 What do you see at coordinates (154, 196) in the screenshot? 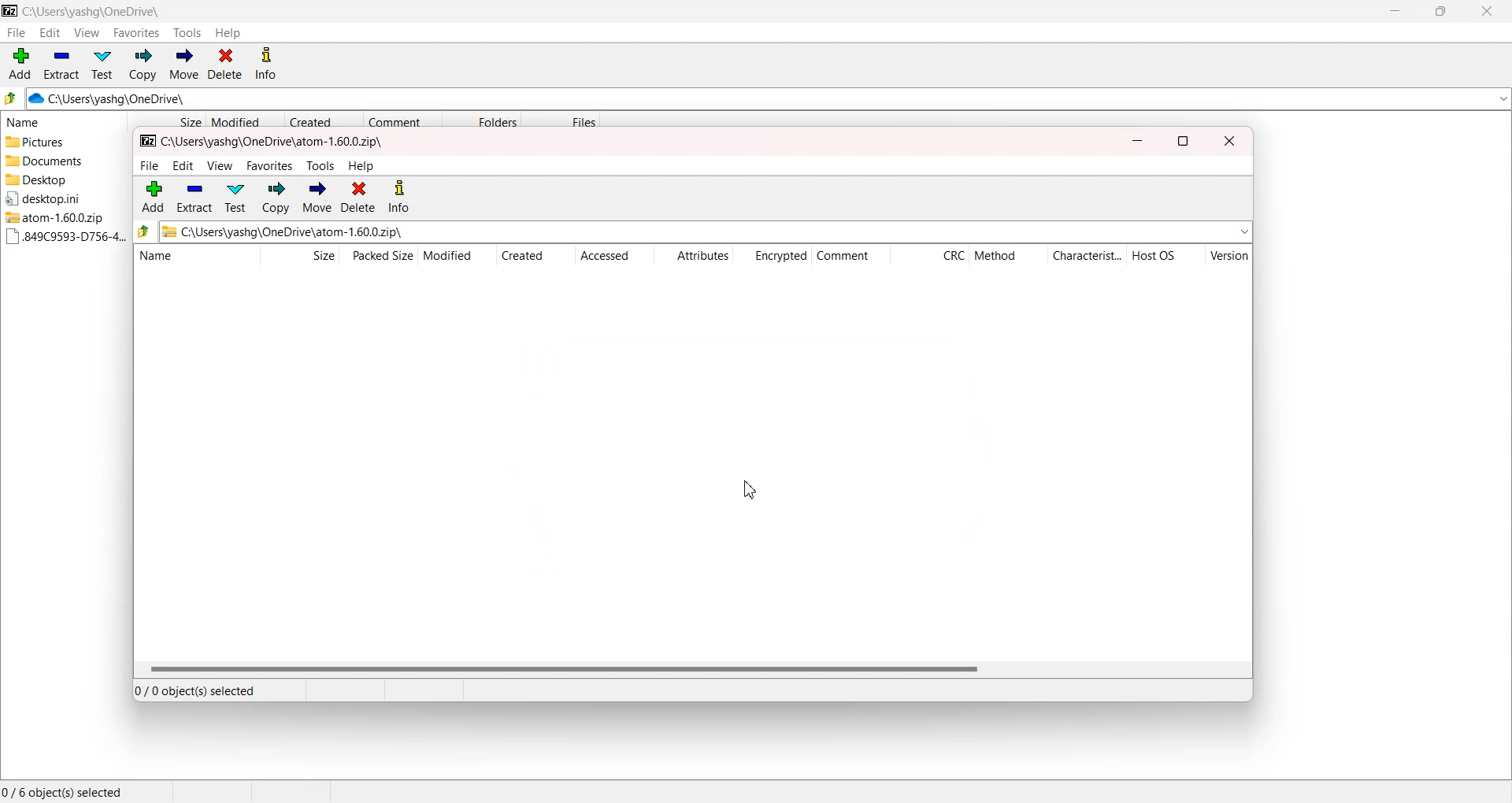
I see `add` at bounding box center [154, 196].